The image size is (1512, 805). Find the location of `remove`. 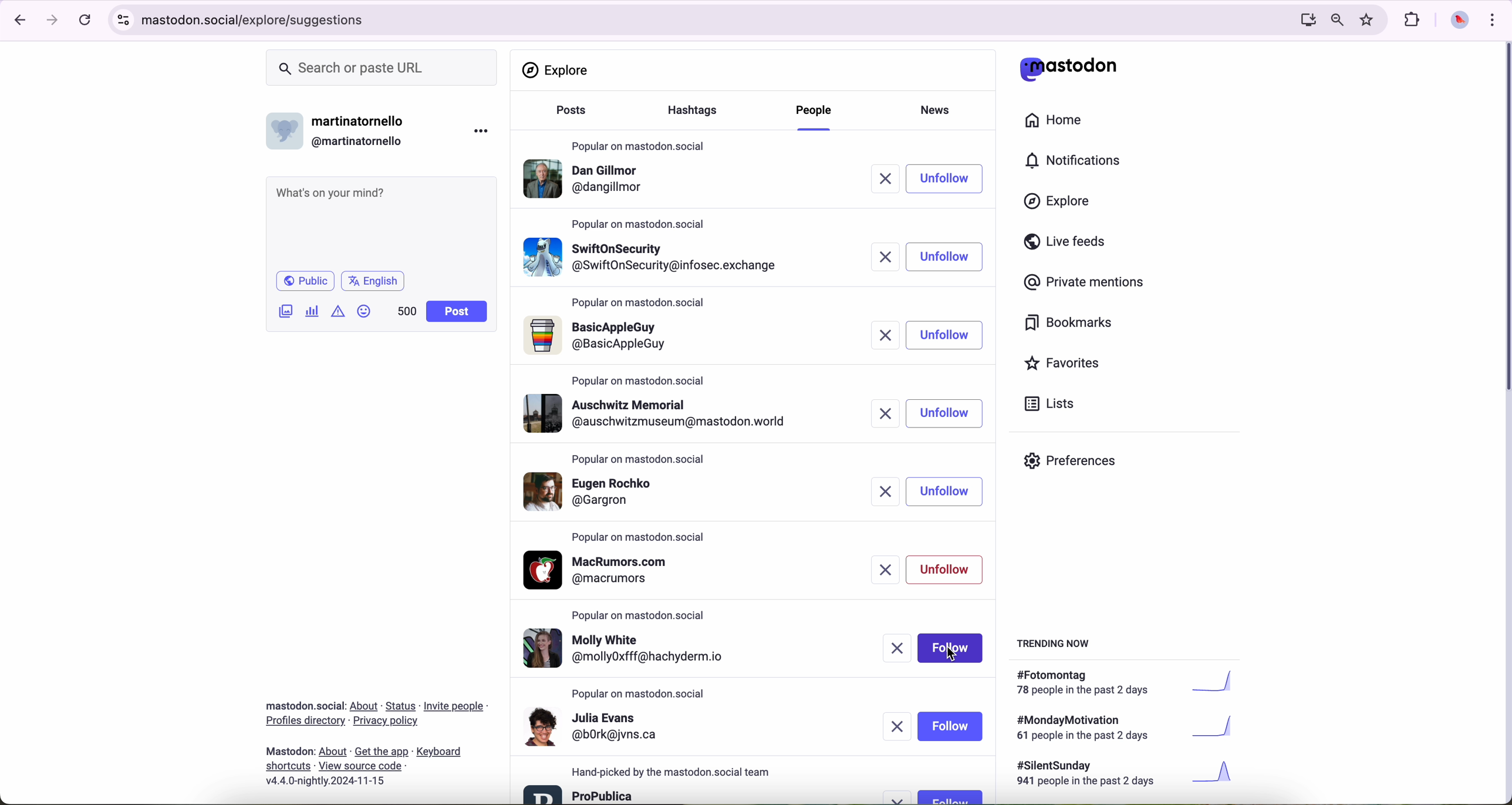

remove is located at coordinates (883, 491).